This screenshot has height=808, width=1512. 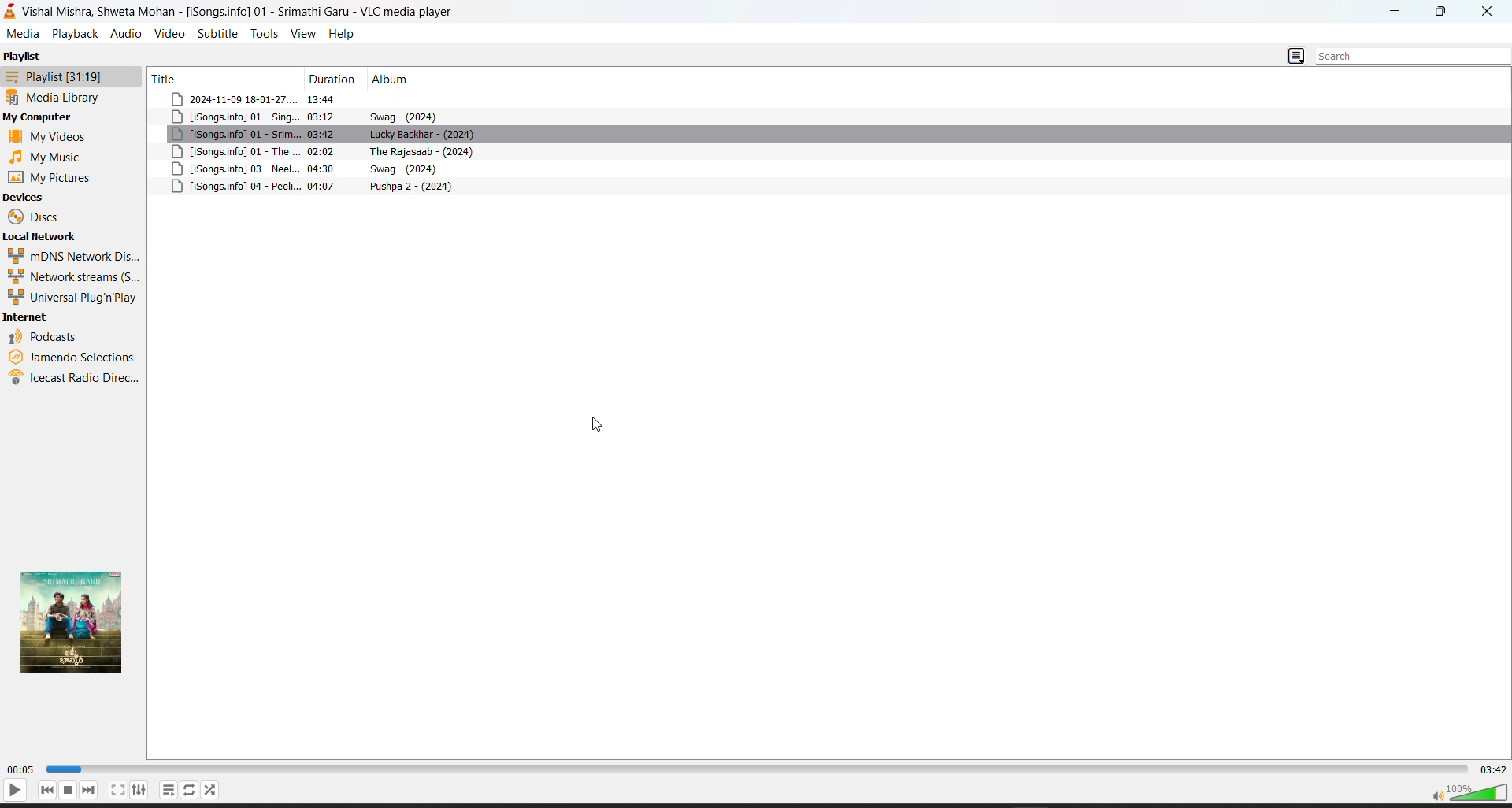 What do you see at coordinates (74, 276) in the screenshot?
I see `network streams` at bounding box center [74, 276].